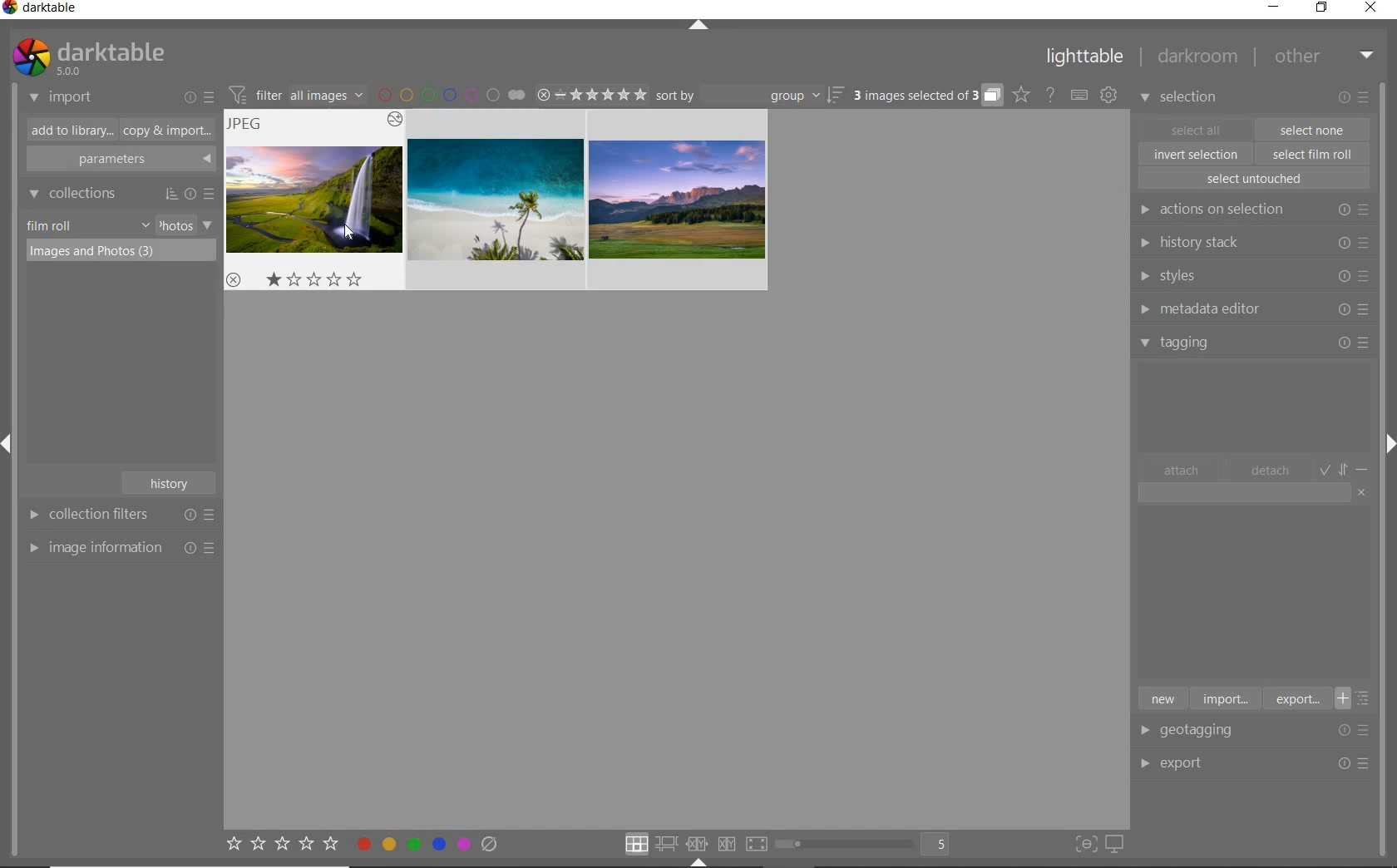 The width and height of the screenshot is (1397, 868). Describe the element at coordinates (175, 225) in the screenshot. I see `photos` at that location.